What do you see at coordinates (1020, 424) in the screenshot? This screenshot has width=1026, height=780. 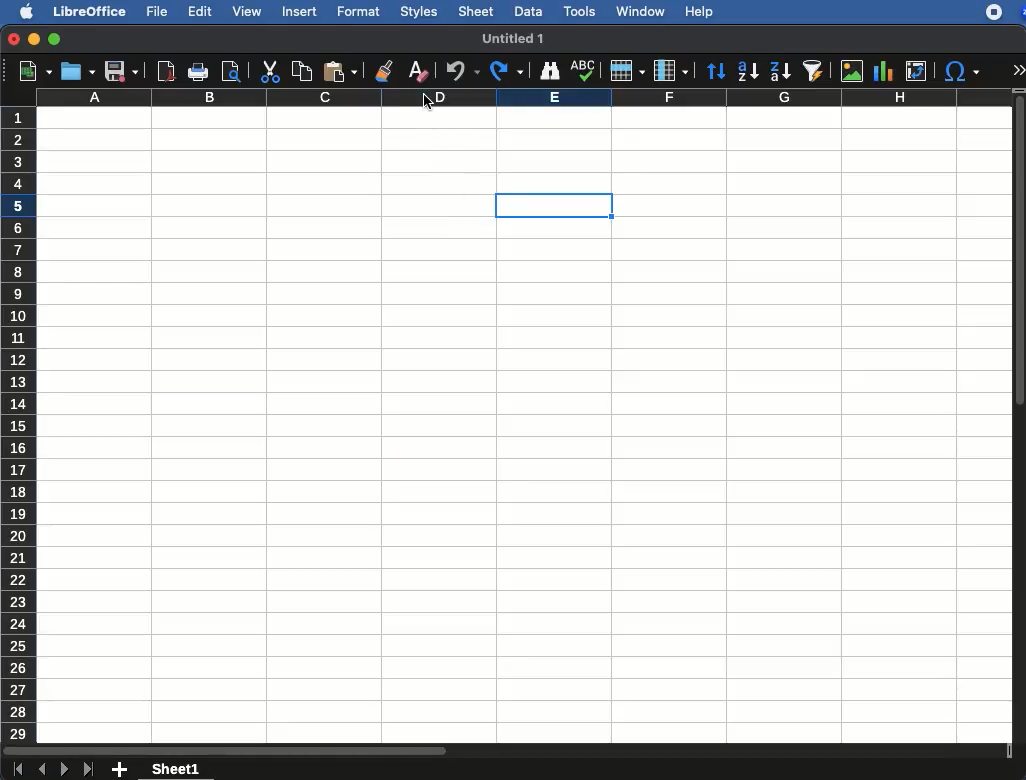 I see `scroll` at bounding box center [1020, 424].